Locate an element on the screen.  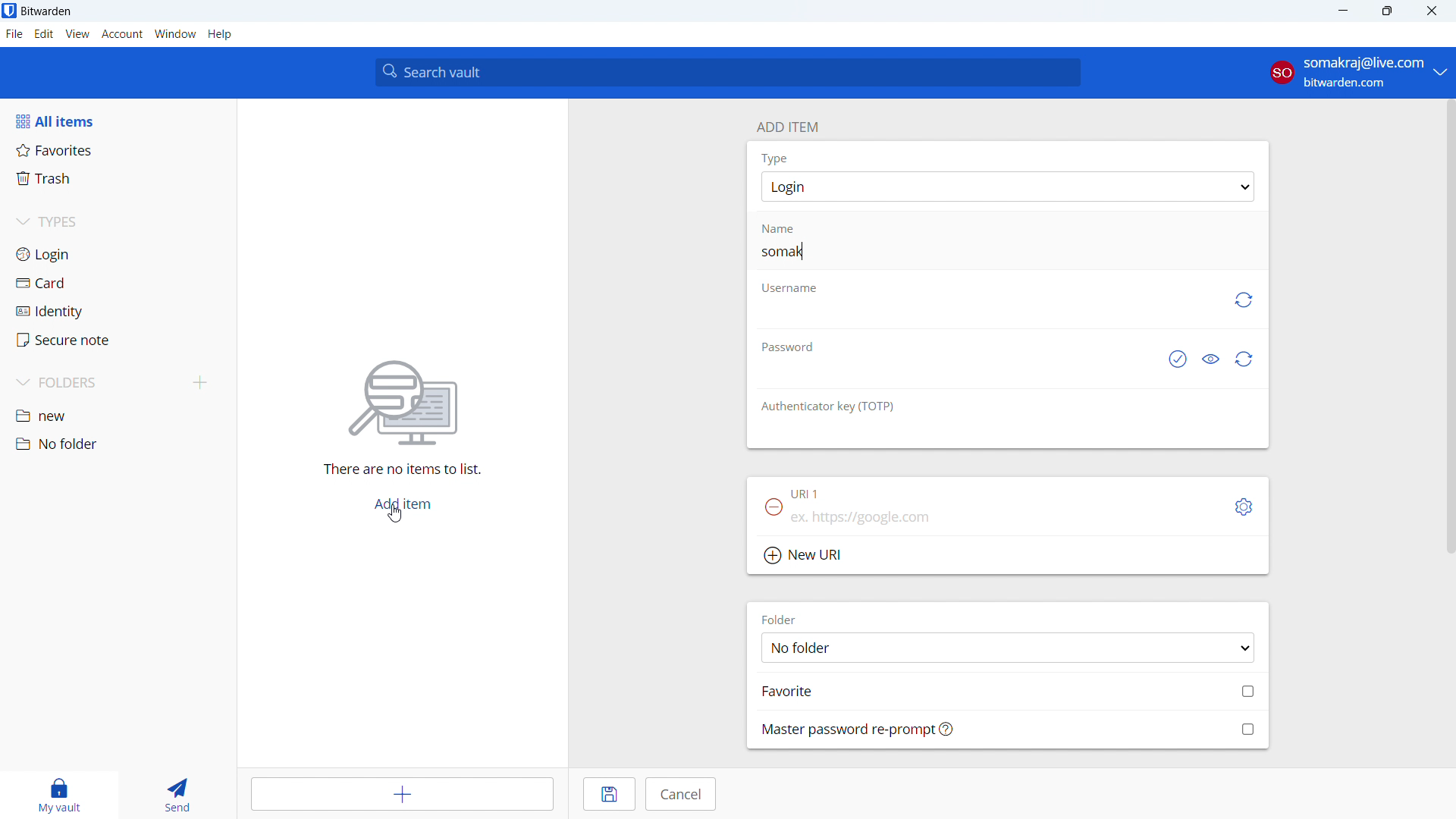
view is located at coordinates (77, 34).